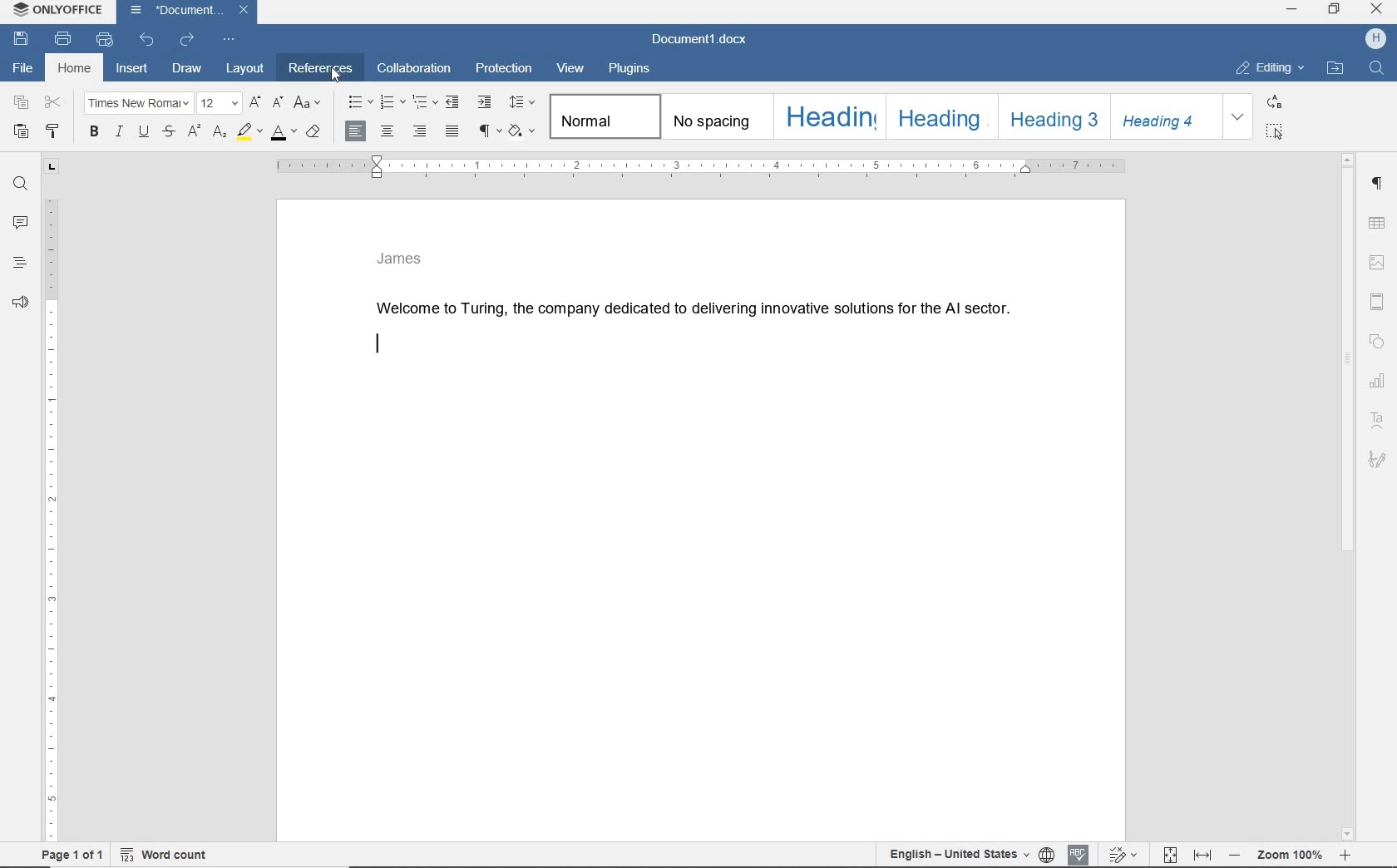 The width and height of the screenshot is (1397, 868). What do you see at coordinates (699, 304) in the screenshot?
I see `Welcome to Turing, the company dedicated to delivering innovative solutions for the Al sector.` at bounding box center [699, 304].